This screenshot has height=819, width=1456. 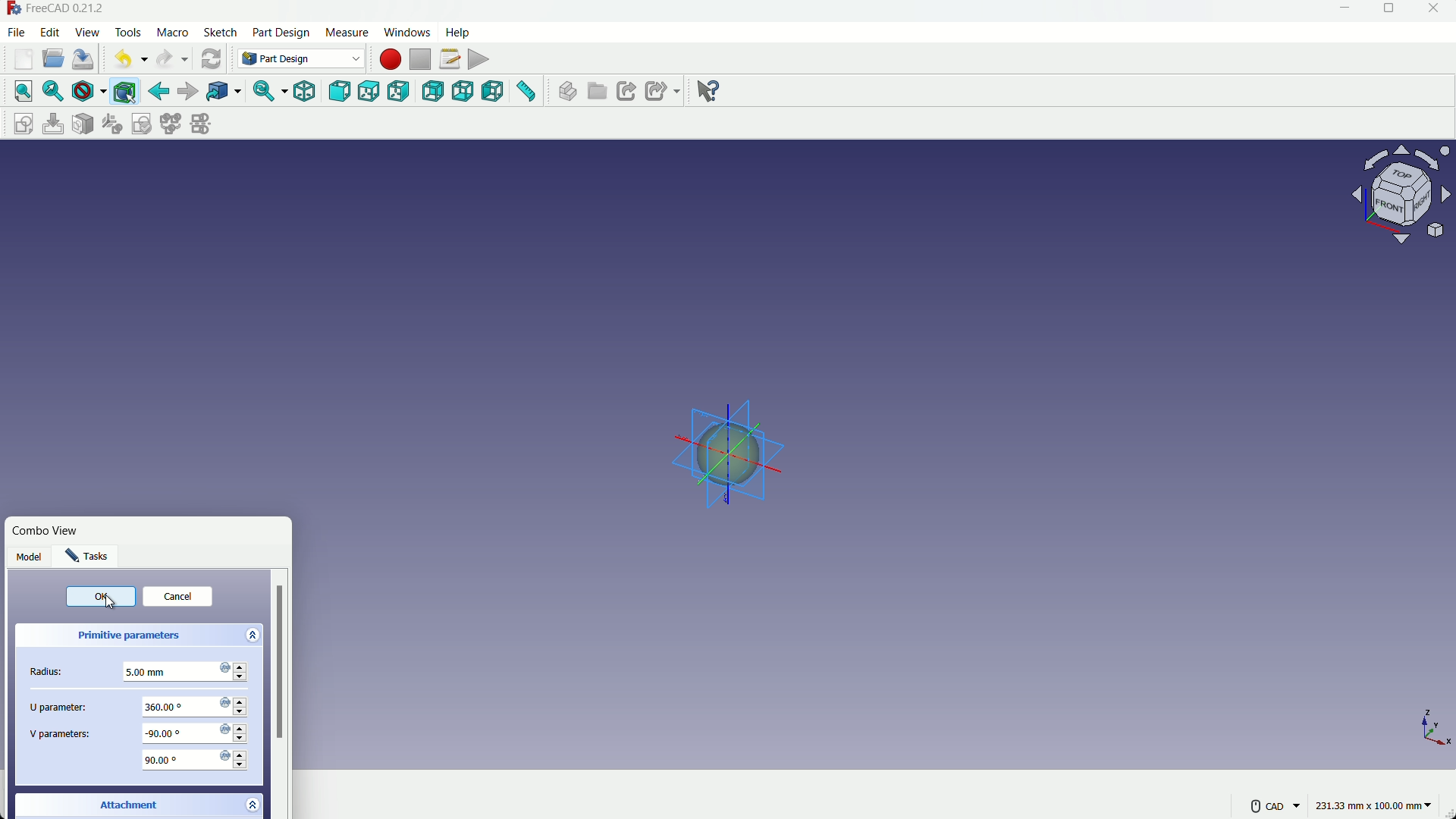 I want to click on fit all, so click(x=24, y=90).